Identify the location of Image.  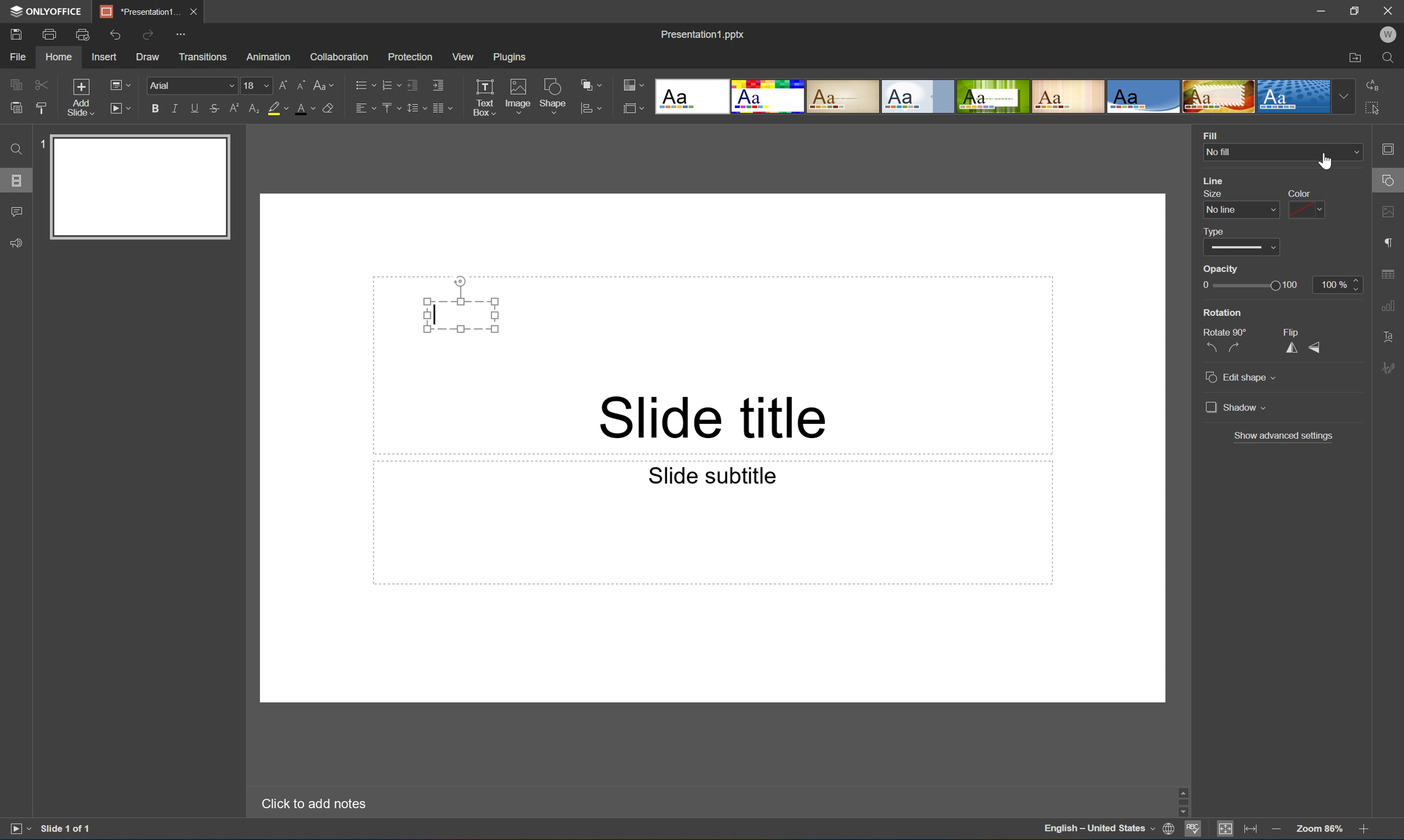
(519, 99).